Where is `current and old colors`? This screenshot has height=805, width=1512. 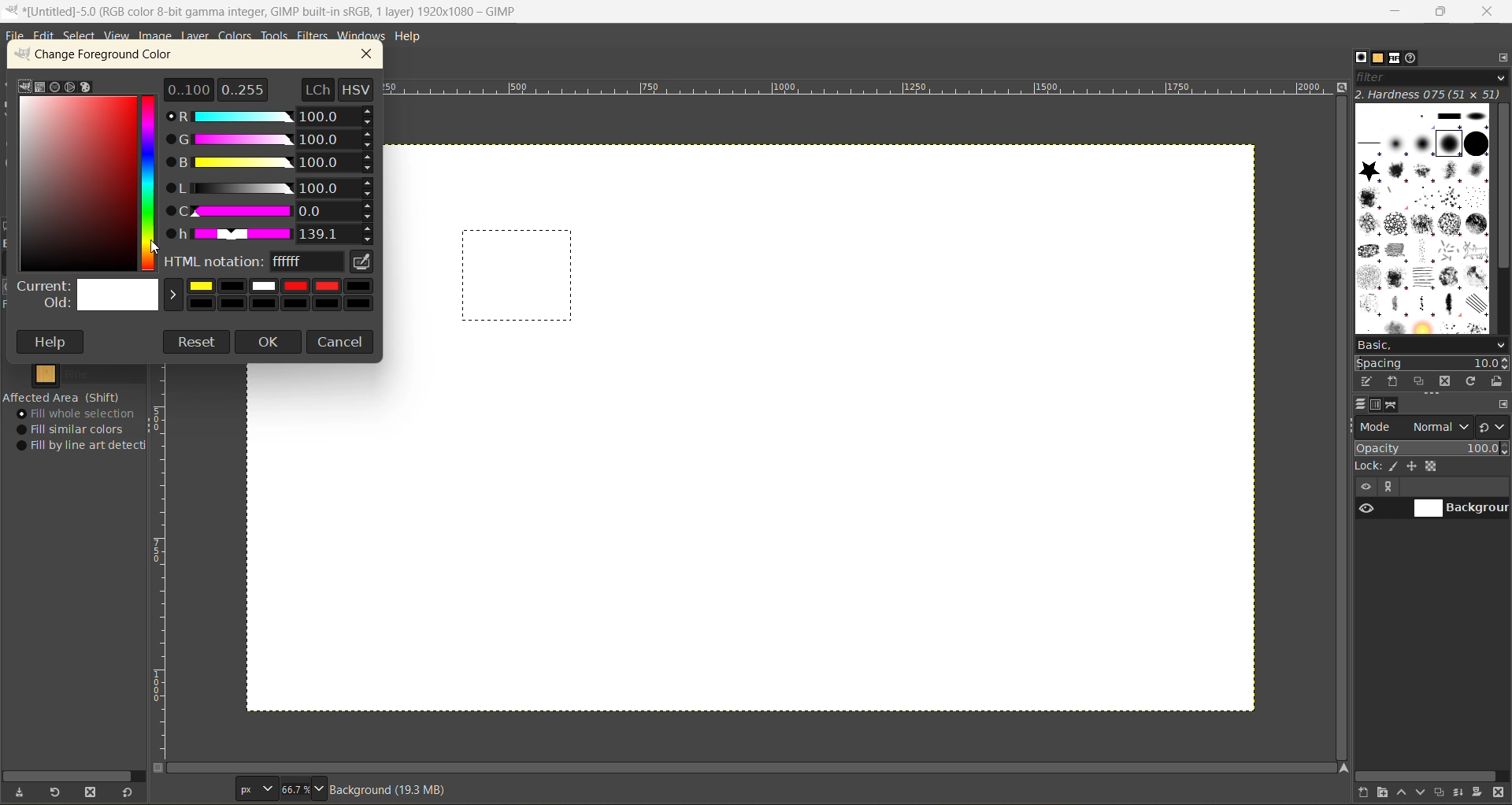
current and old colors is located at coordinates (198, 297).